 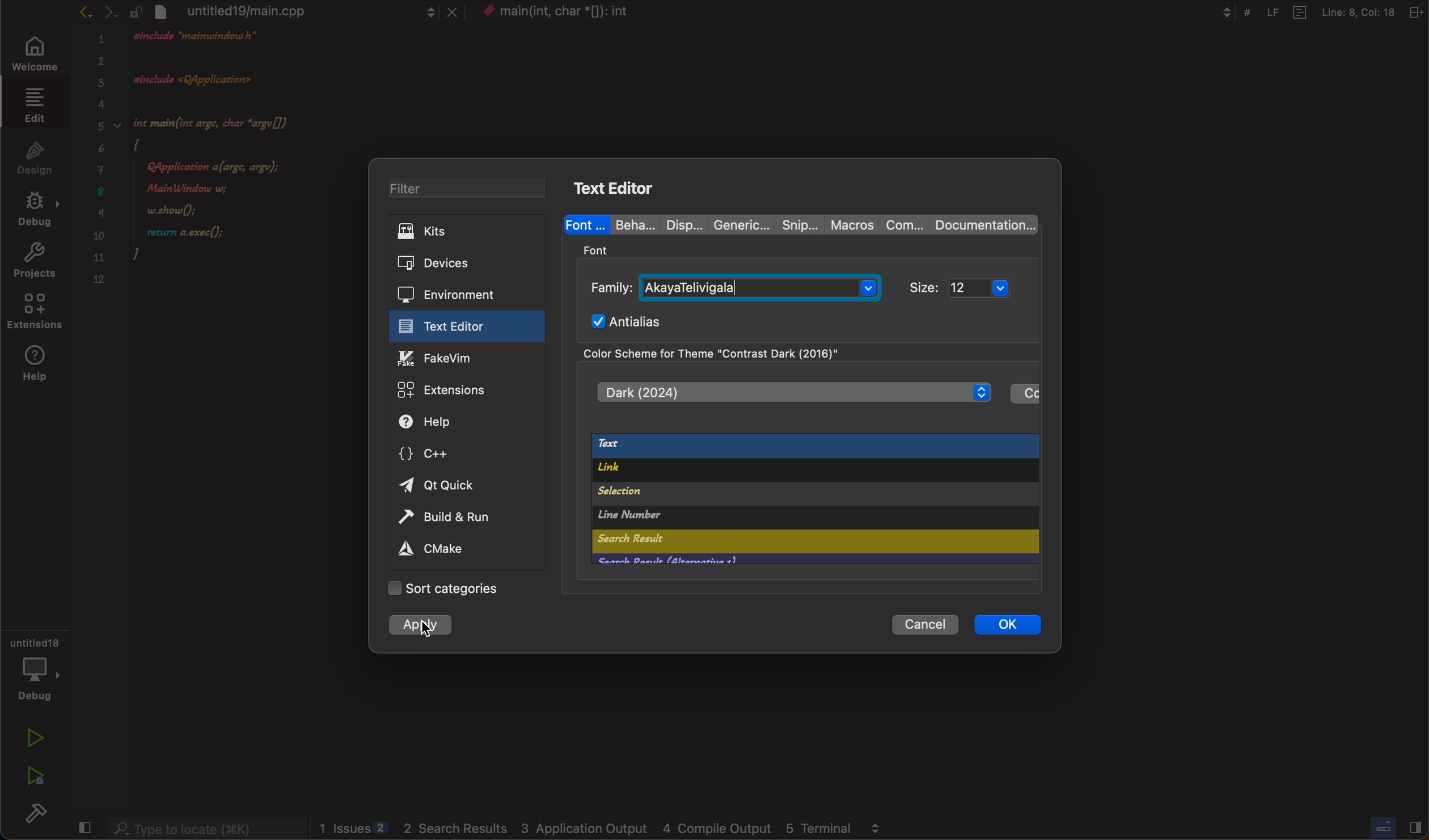 I want to click on font changed, so click(x=561, y=12).